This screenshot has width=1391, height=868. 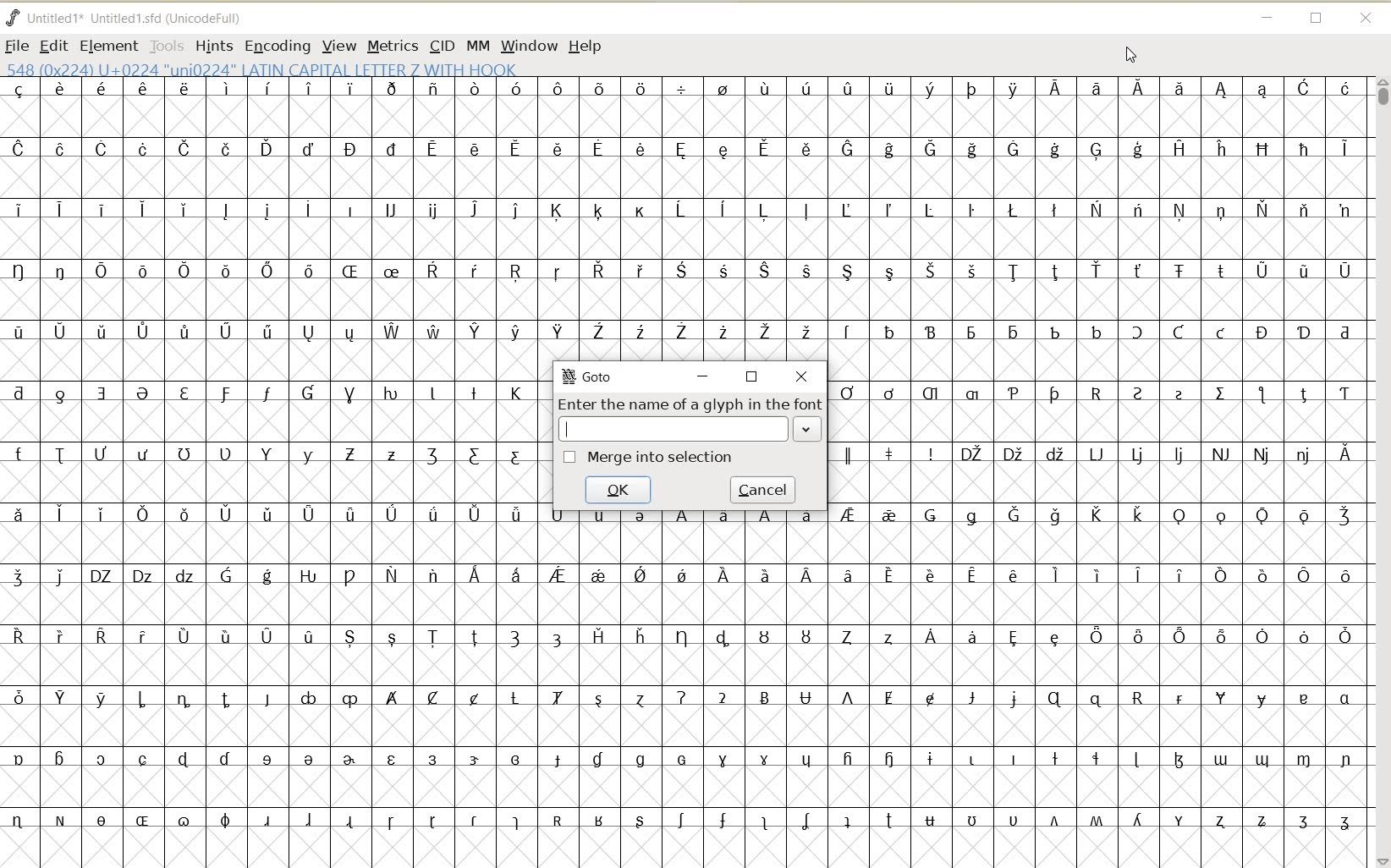 I want to click on cancel, so click(x=764, y=488).